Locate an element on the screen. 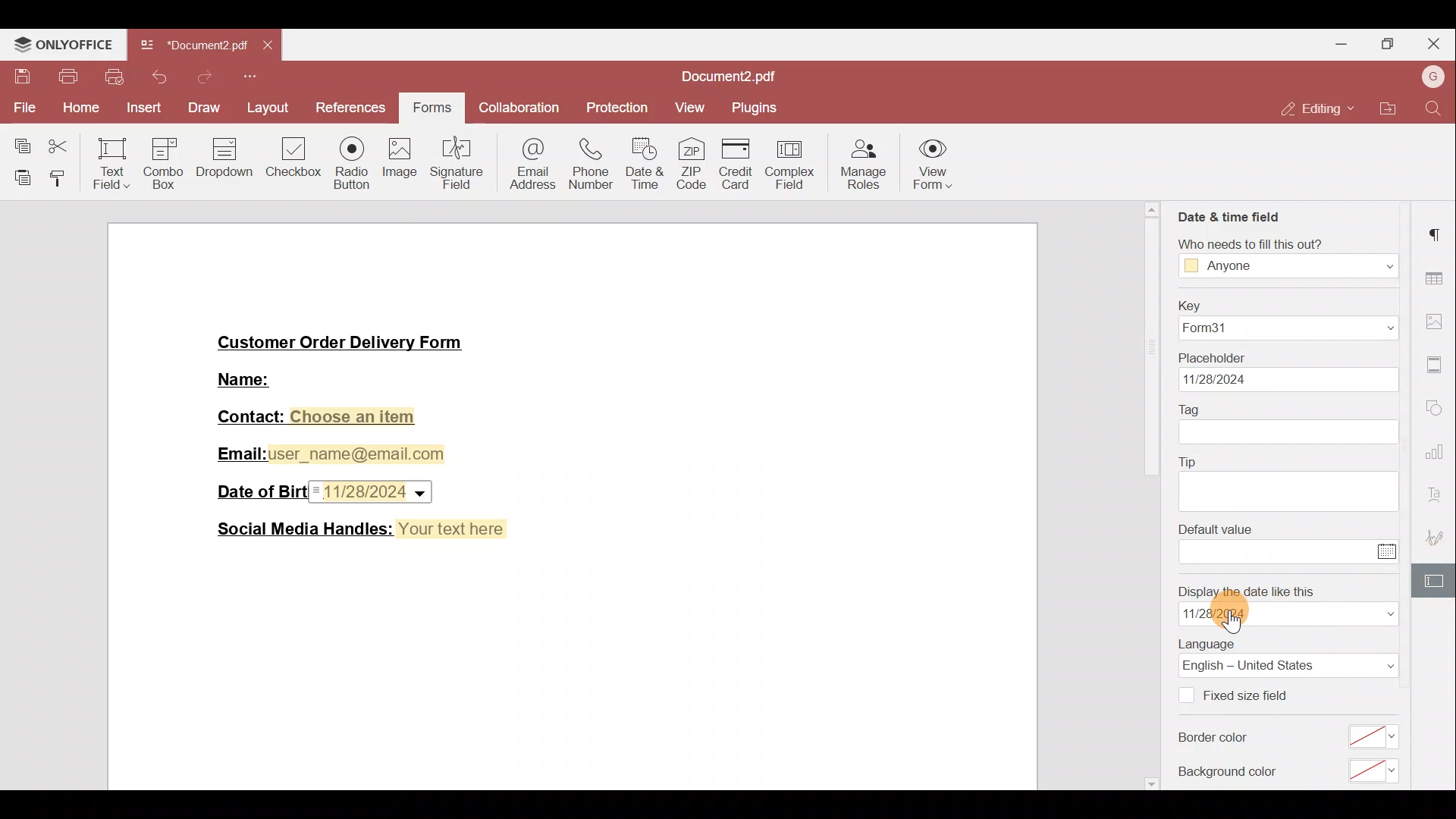  File is located at coordinates (21, 106).